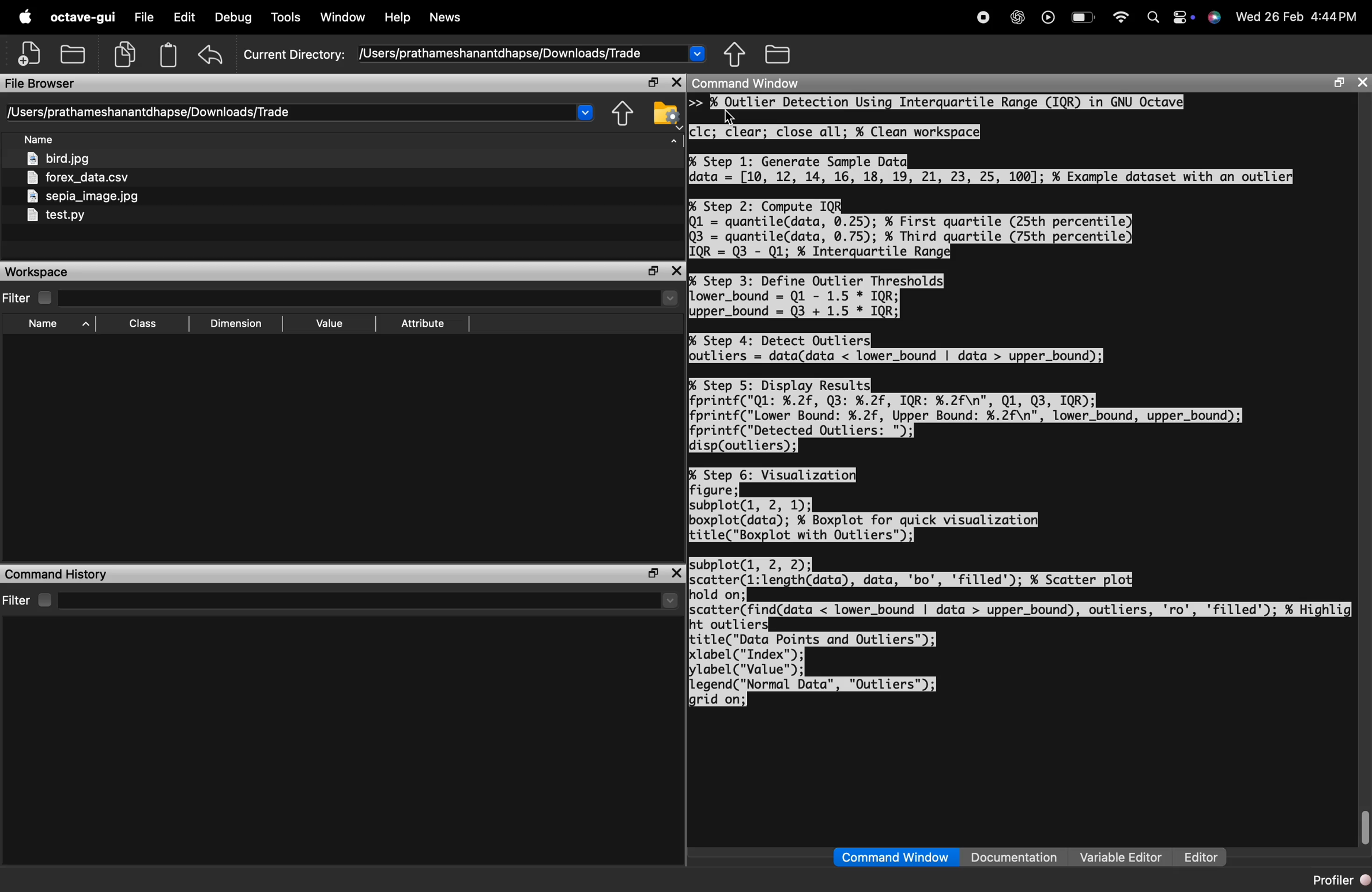 Image resolution: width=1372 pixels, height=892 pixels. What do you see at coordinates (676, 573) in the screenshot?
I see `close` at bounding box center [676, 573].